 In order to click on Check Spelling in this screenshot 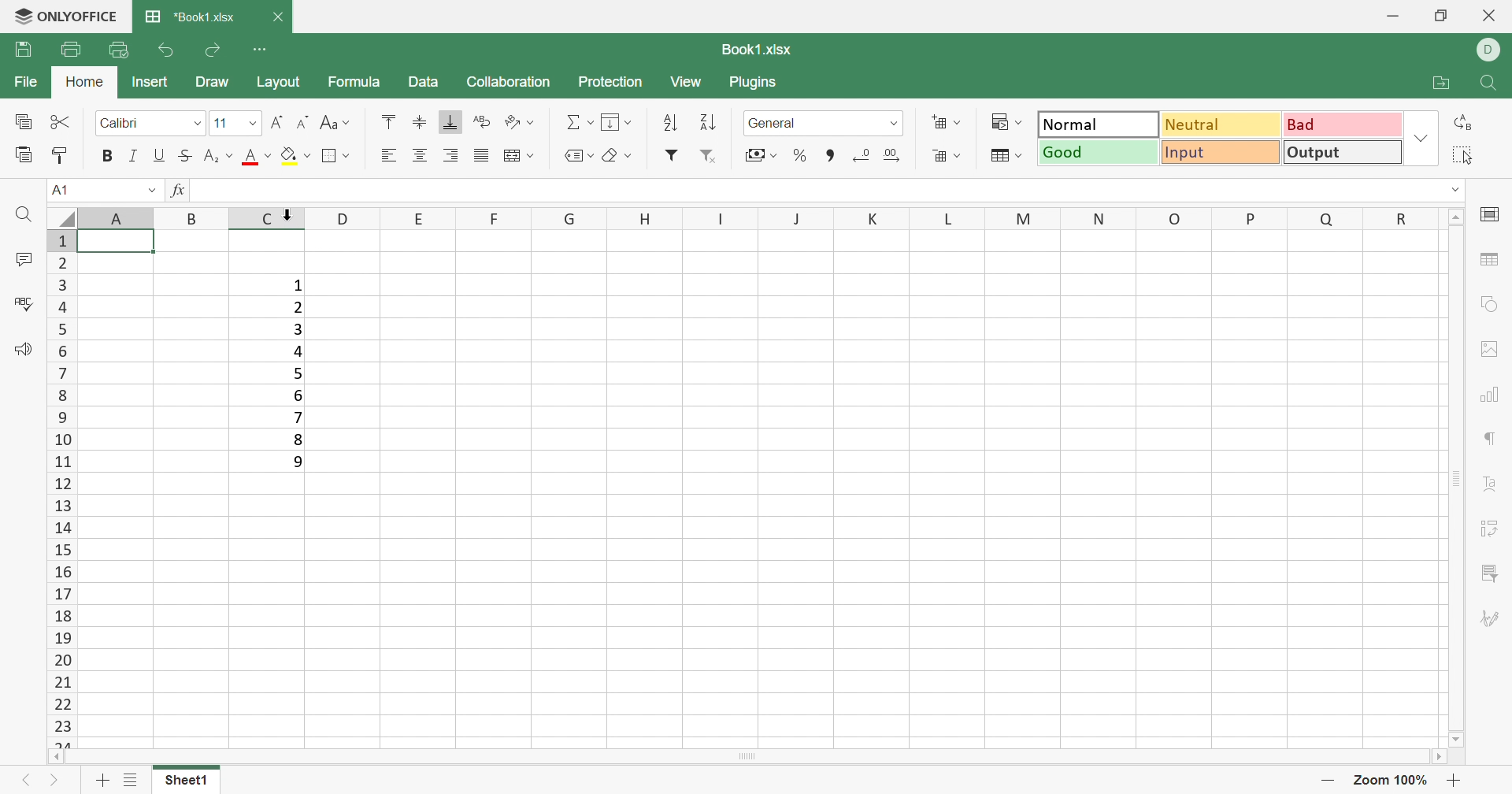, I will do `click(23, 305)`.